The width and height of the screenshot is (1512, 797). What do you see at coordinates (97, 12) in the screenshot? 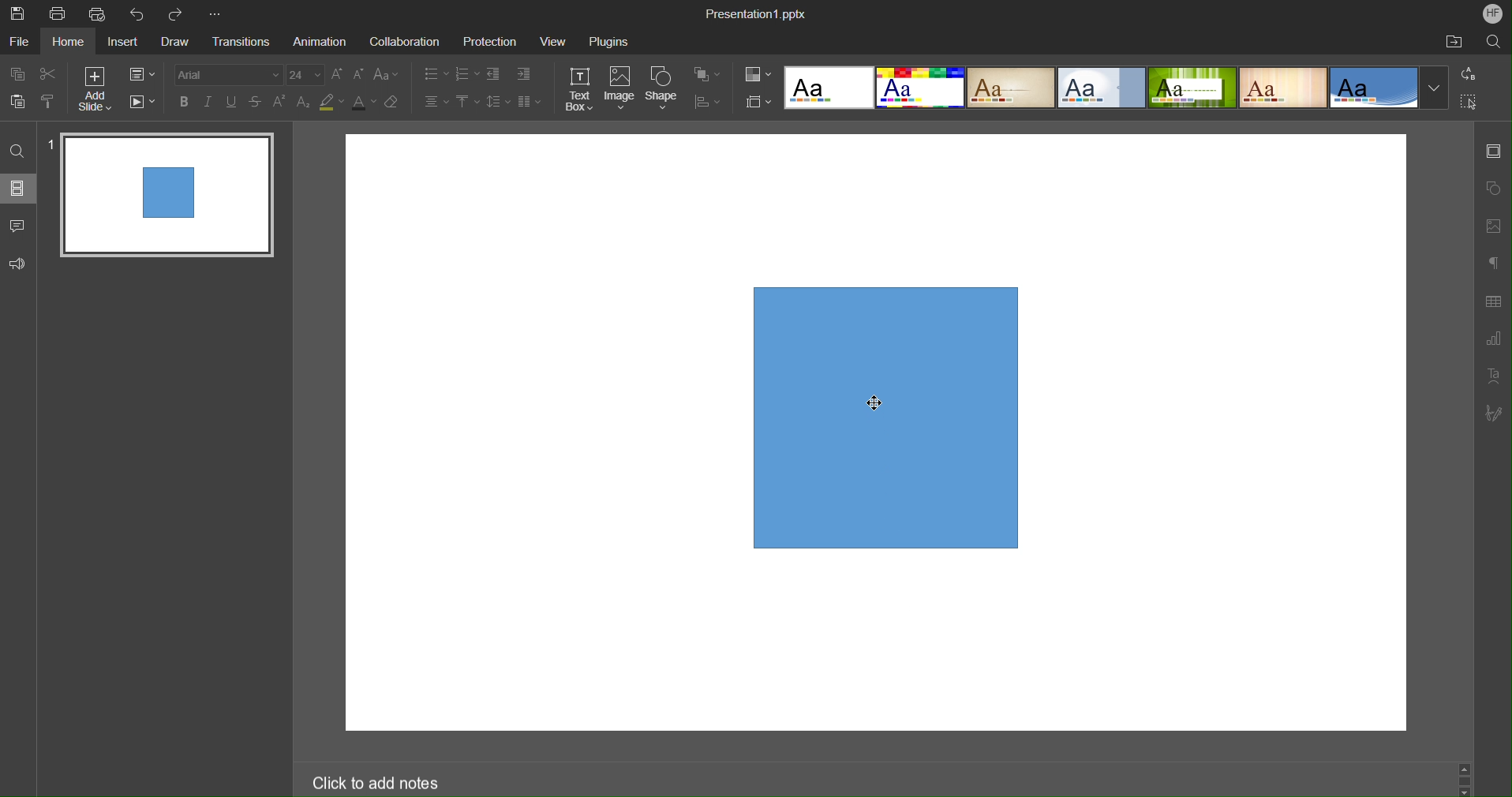
I see `Quick Print` at bounding box center [97, 12].